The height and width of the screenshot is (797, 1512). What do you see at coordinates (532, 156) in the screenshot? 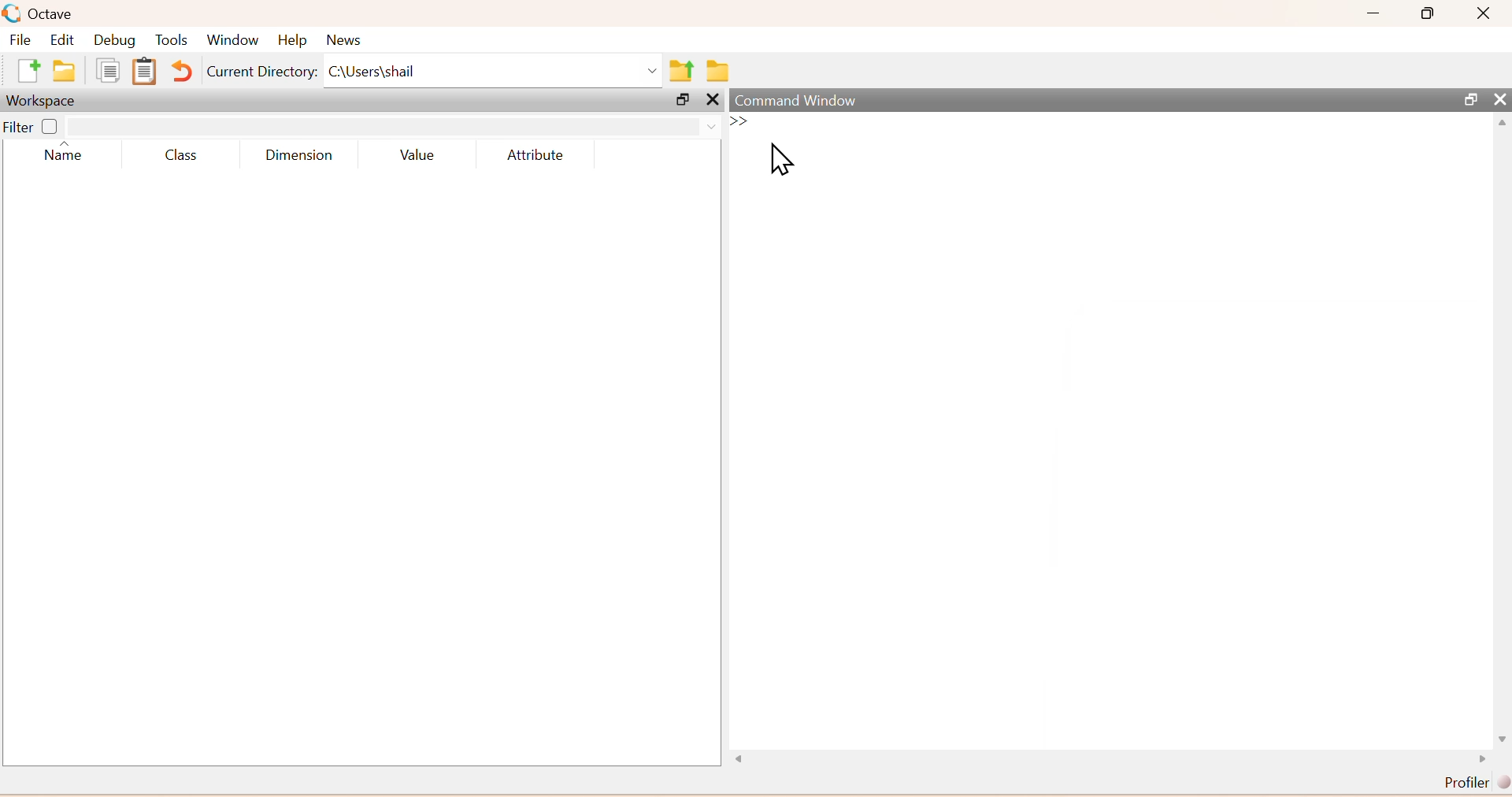
I see `Attribute` at bounding box center [532, 156].